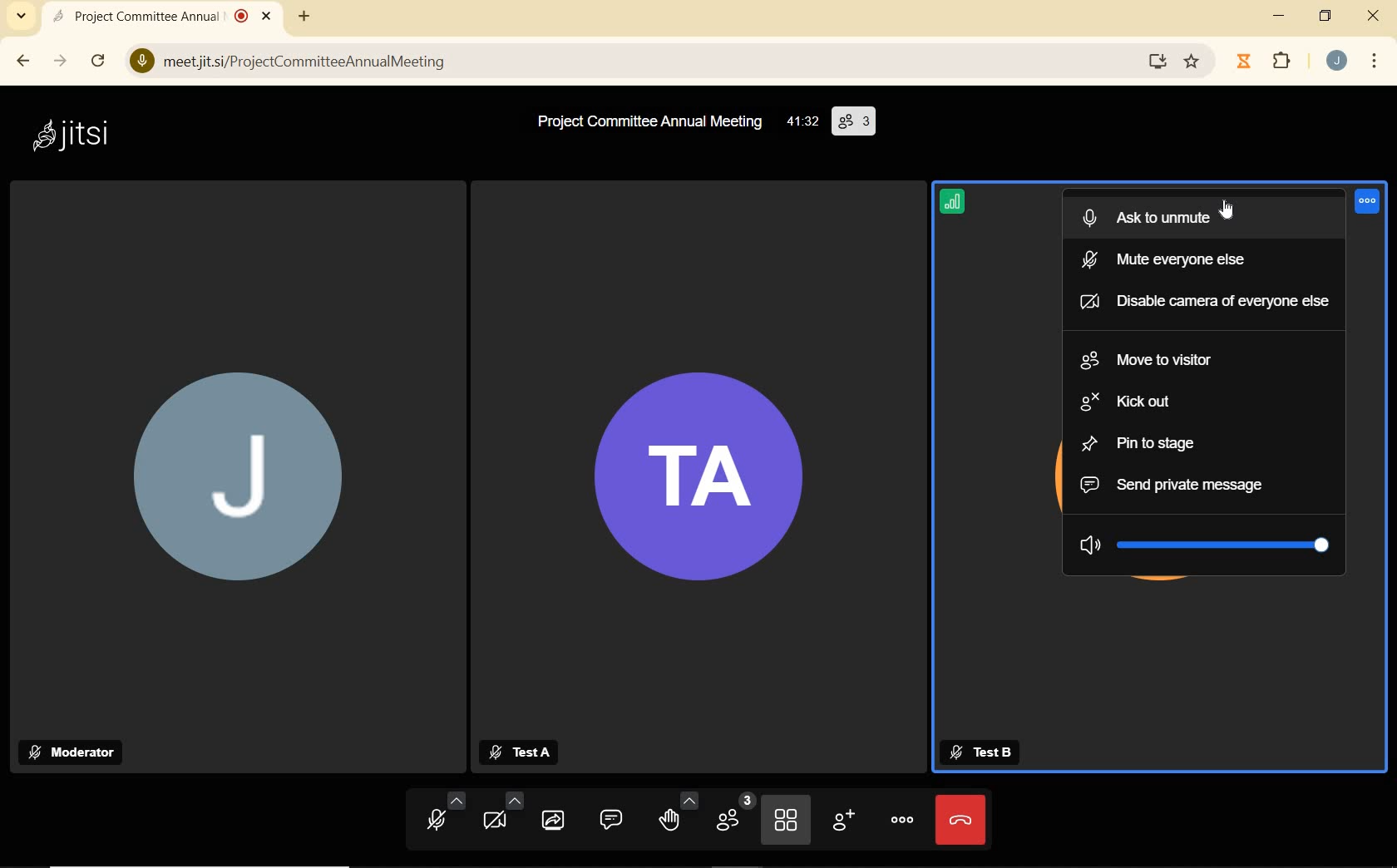 This screenshot has height=868, width=1397. What do you see at coordinates (1205, 217) in the screenshot?
I see `ASK TO UNMUTE` at bounding box center [1205, 217].